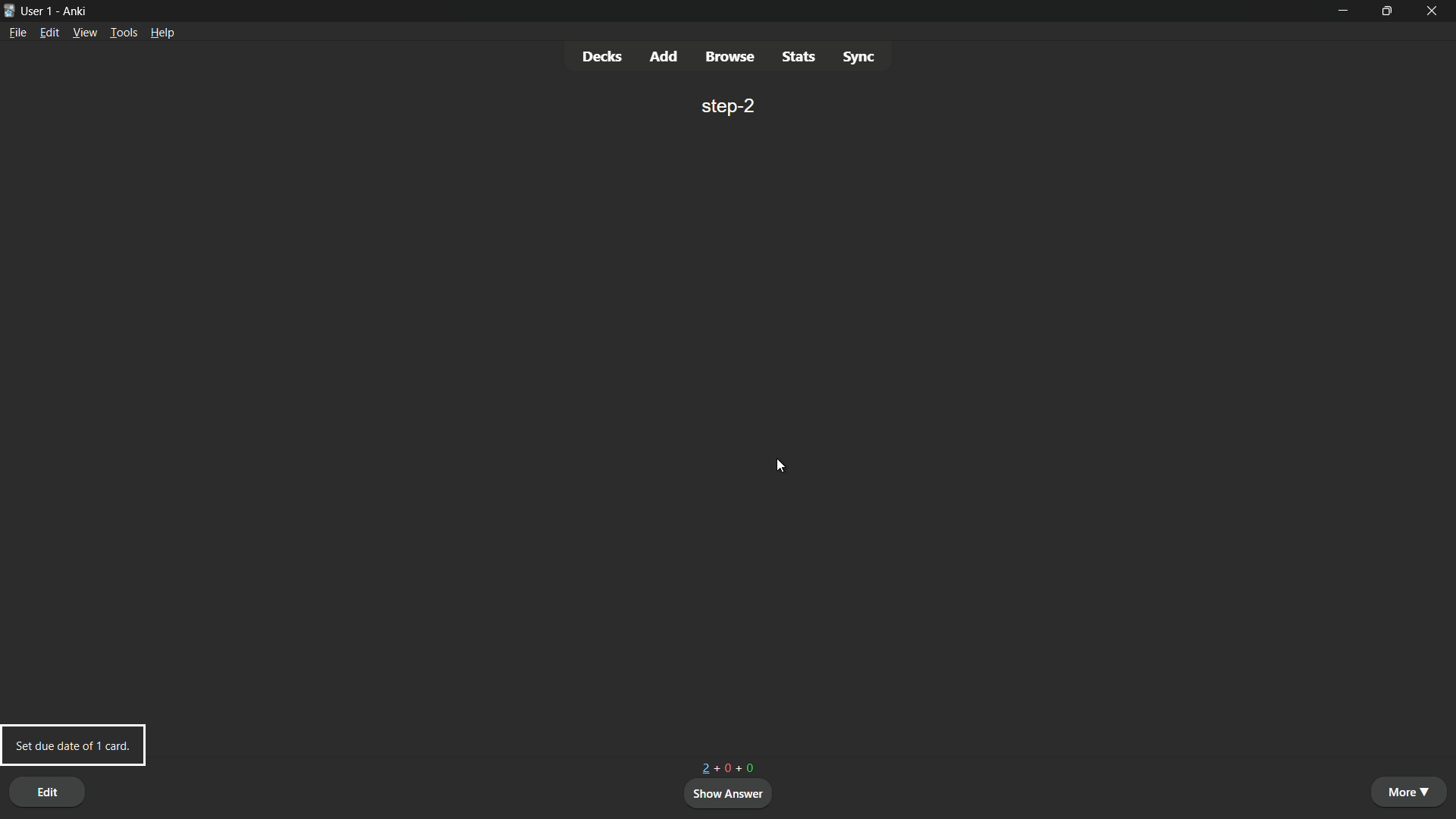 Image resolution: width=1456 pixels, height=819 pixels. I want to click on user 1, so click(39, 11).